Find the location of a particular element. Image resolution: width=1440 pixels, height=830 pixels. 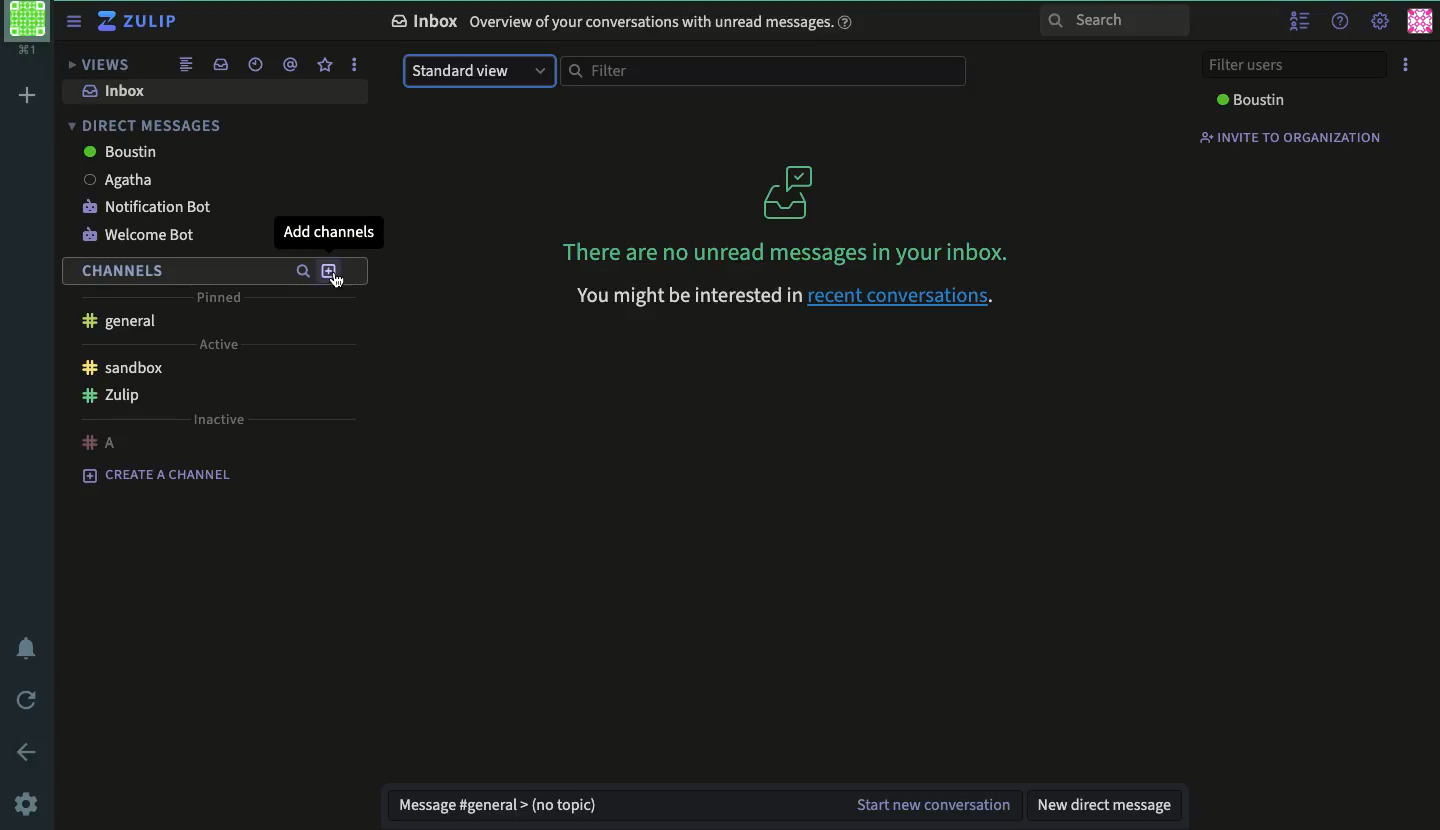

add workspace is located at coordinates (28, 97).